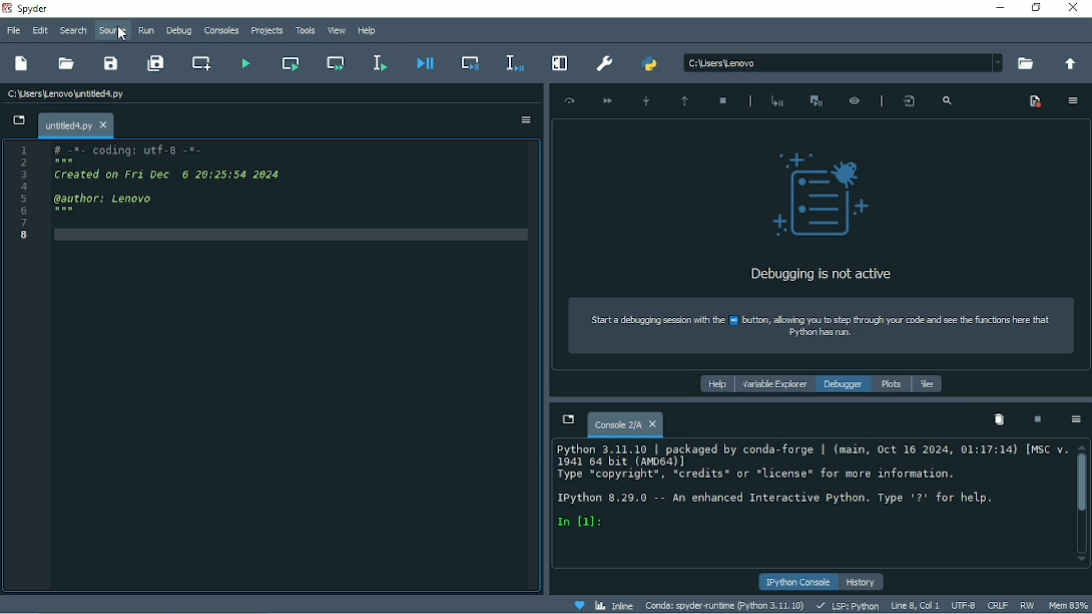 The image size is (1092, 614). I want to click on Debugger, so click(844, 384).